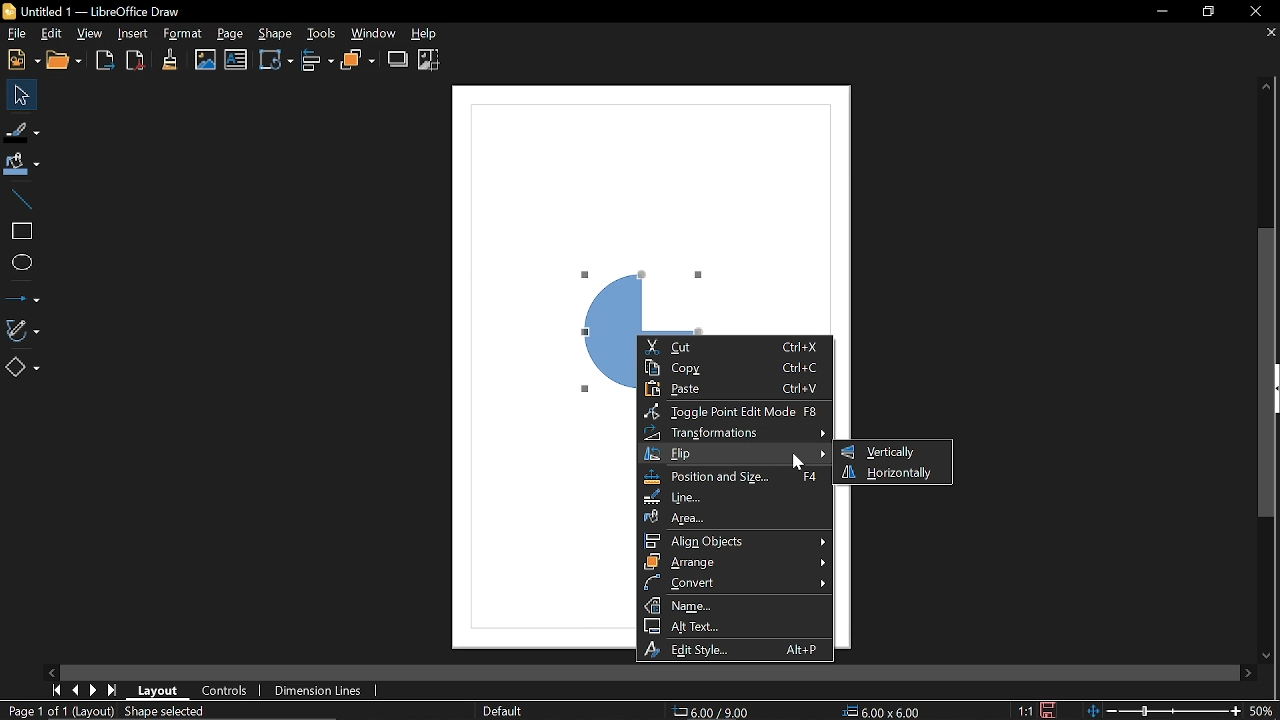 Image resolution: width=1280 pixels, height=720 pixels. What do you see at coordinates (160, 690) in the screenshot?
I see `Layout` at bounding box center [160, 690].